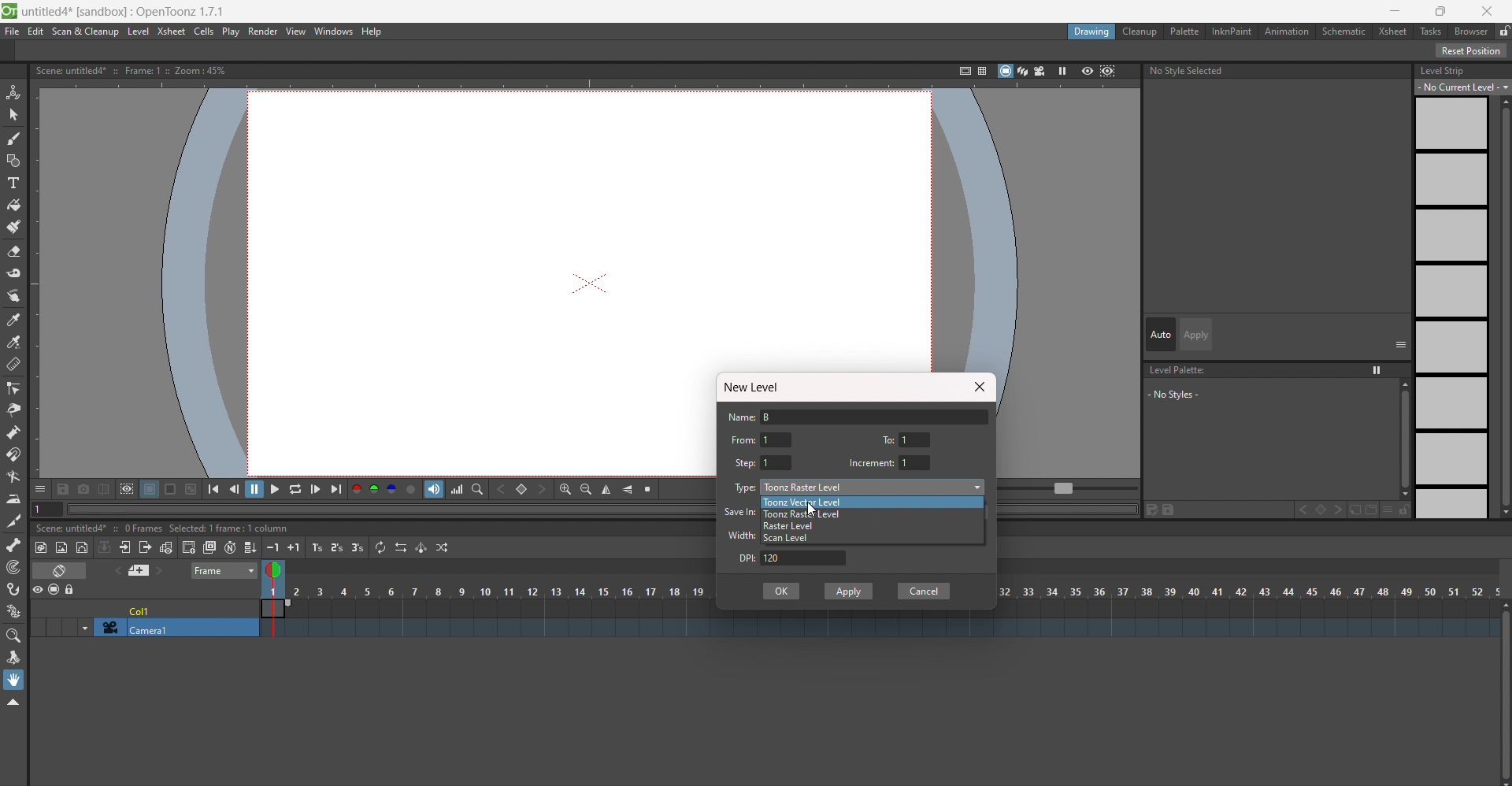 The width and height of the screenshot is (1512, 786). Describe the element at coordinates (1161, 334) in the screenshot. I see `auto` at that location.